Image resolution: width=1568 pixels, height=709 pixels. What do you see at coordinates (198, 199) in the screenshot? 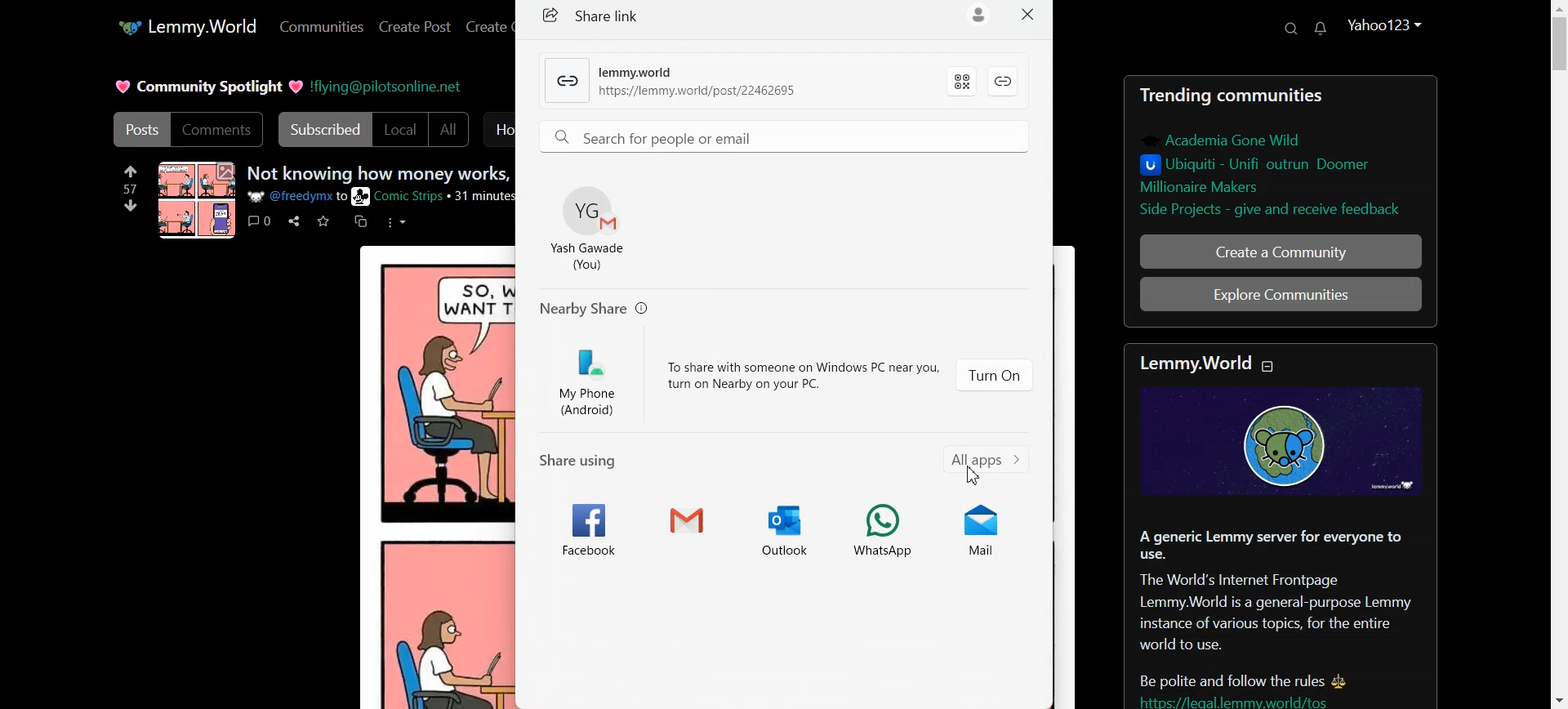
I see `Profile pic` at bounding box center [198, 199].